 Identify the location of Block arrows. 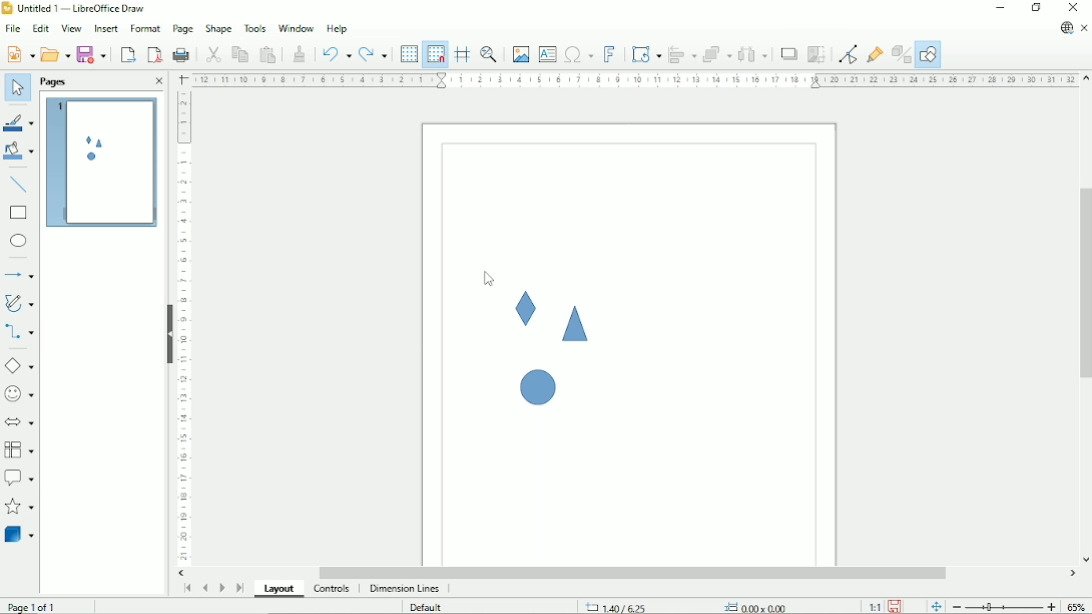
(20, 421).